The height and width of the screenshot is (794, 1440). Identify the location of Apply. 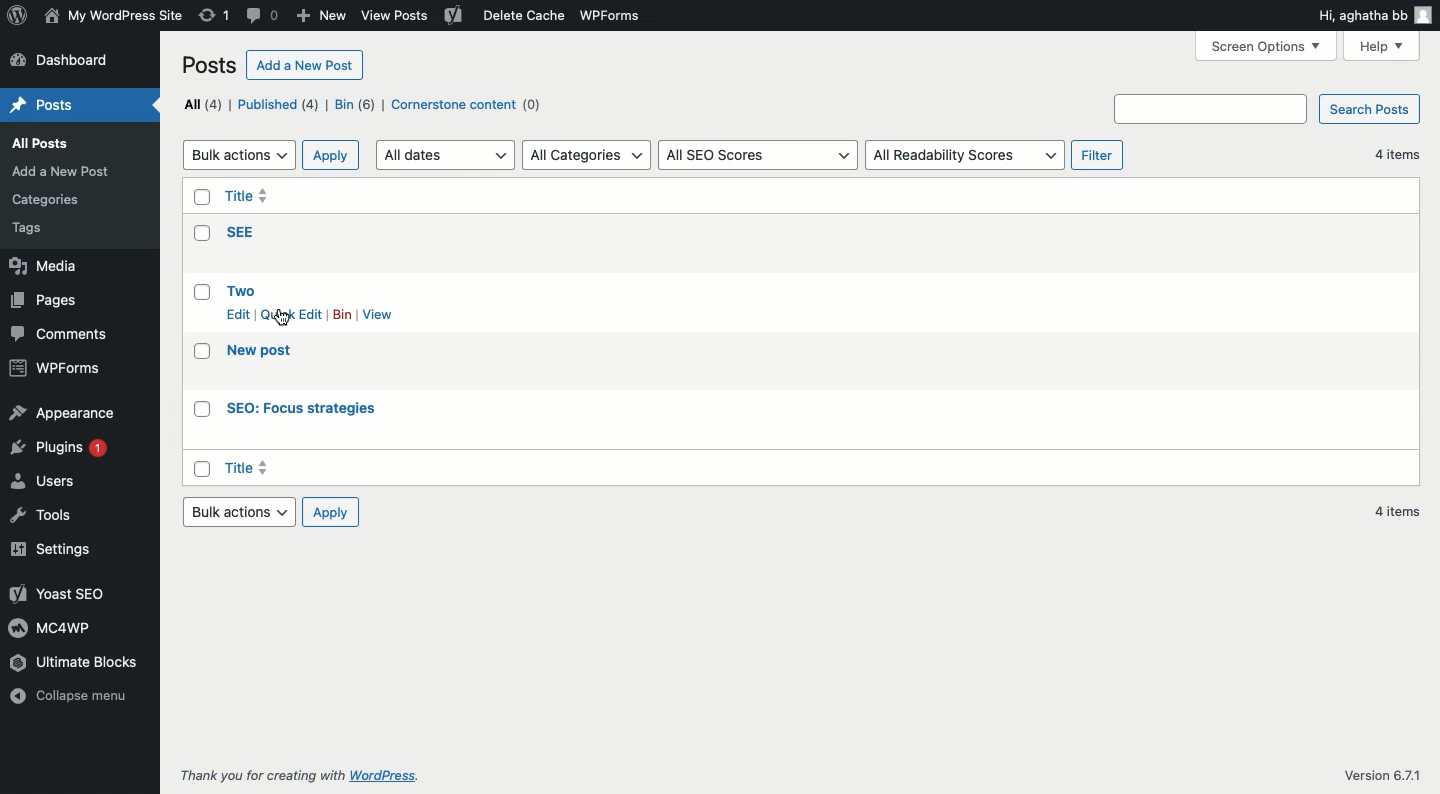
(331, 154).